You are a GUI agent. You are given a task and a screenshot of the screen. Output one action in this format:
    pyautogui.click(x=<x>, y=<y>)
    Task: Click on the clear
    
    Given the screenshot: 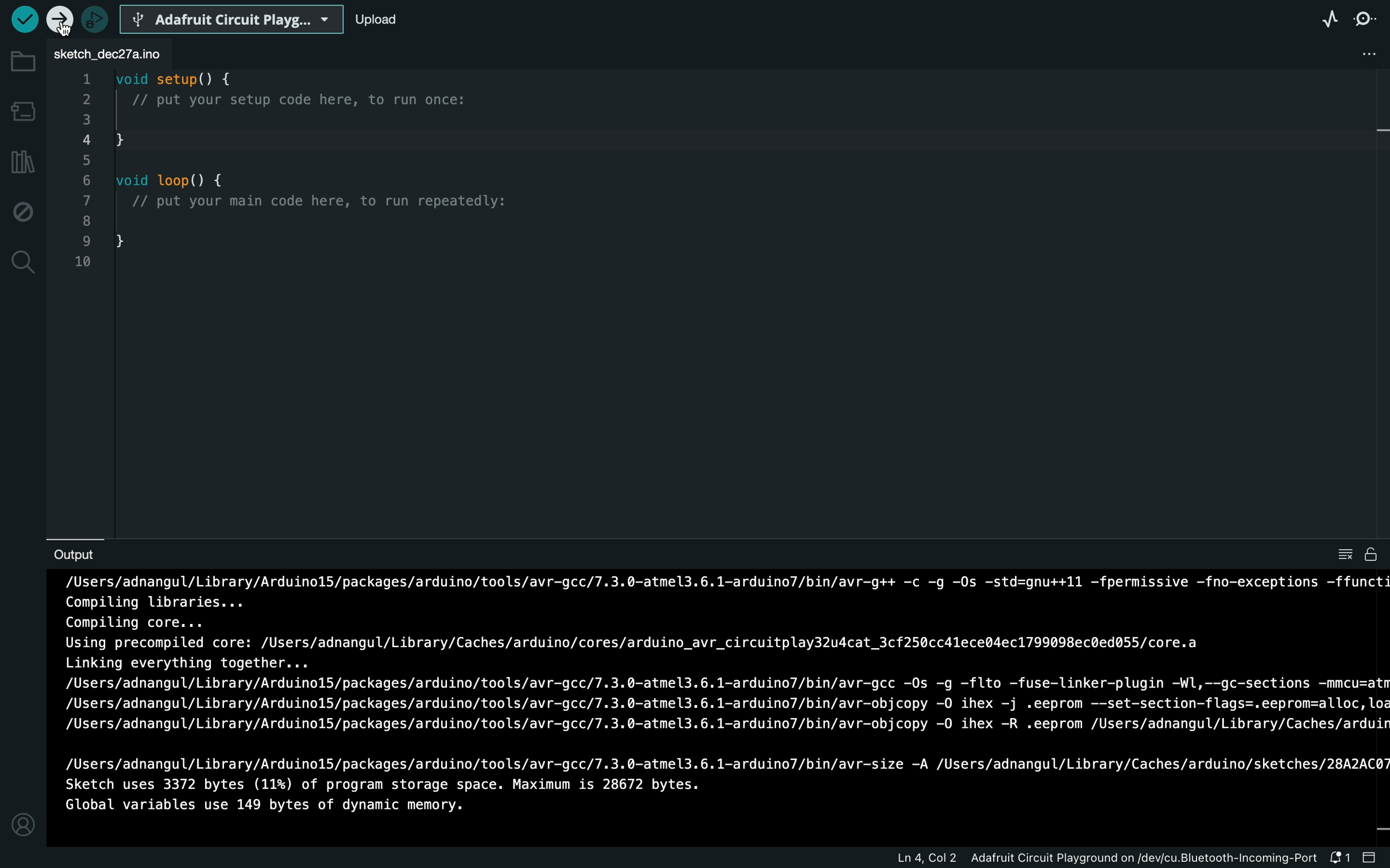 What is the action you would take?
    pyautogui.click(x=1346, y=555)
    